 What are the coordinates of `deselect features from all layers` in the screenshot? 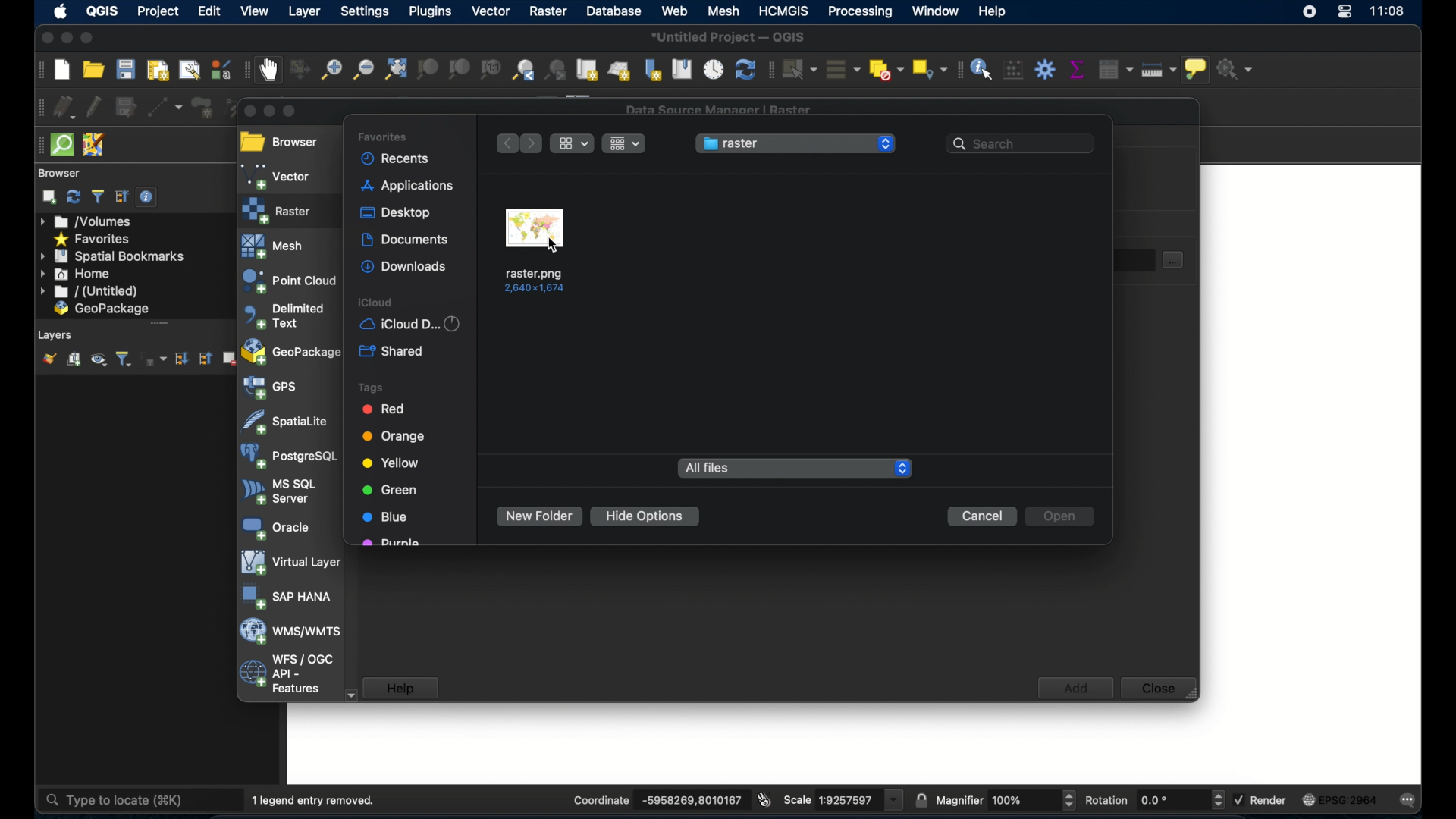 It's located at (884, 69).